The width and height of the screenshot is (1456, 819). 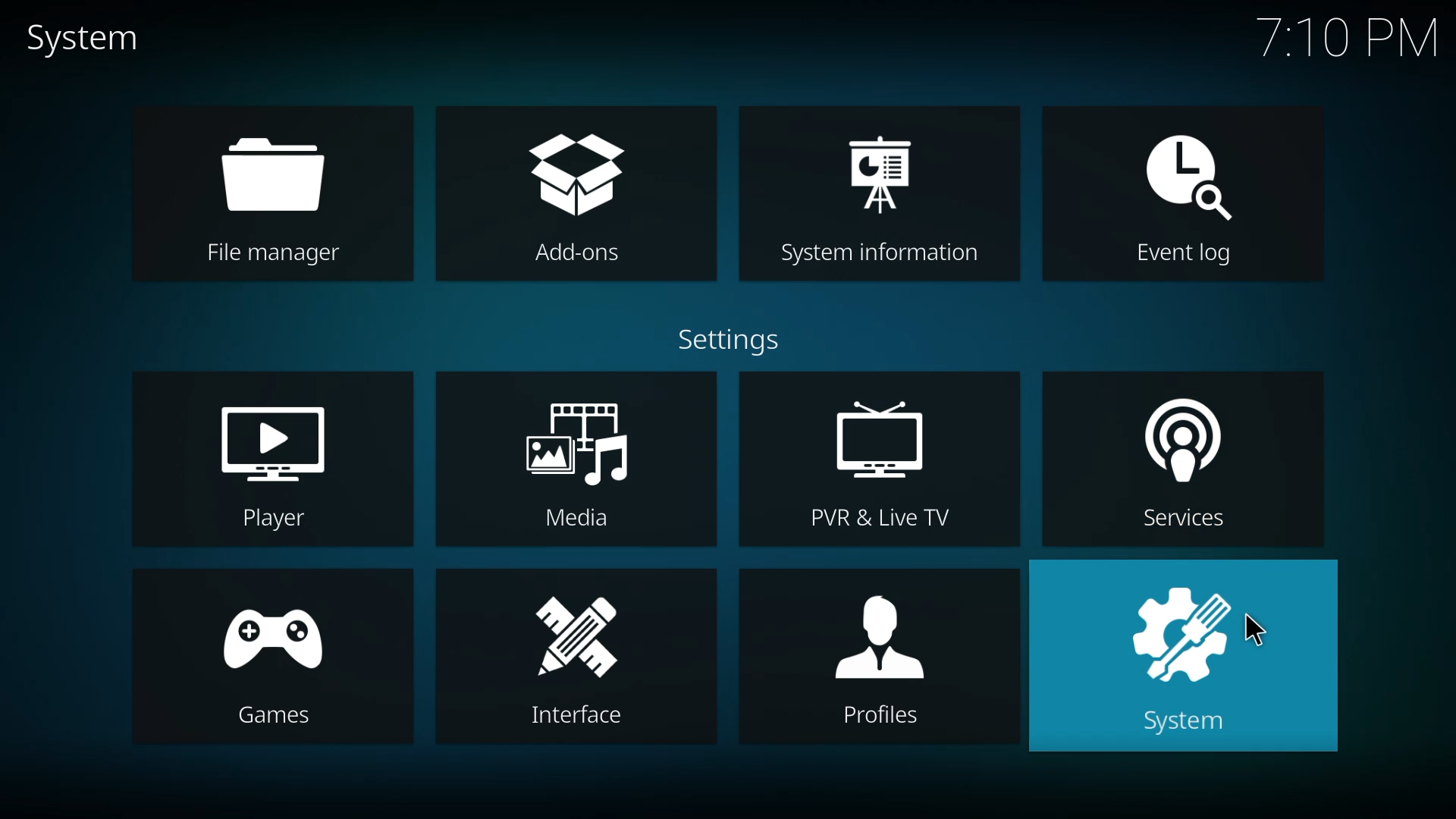 I want to click on event log, so click(x=1180, y=197).